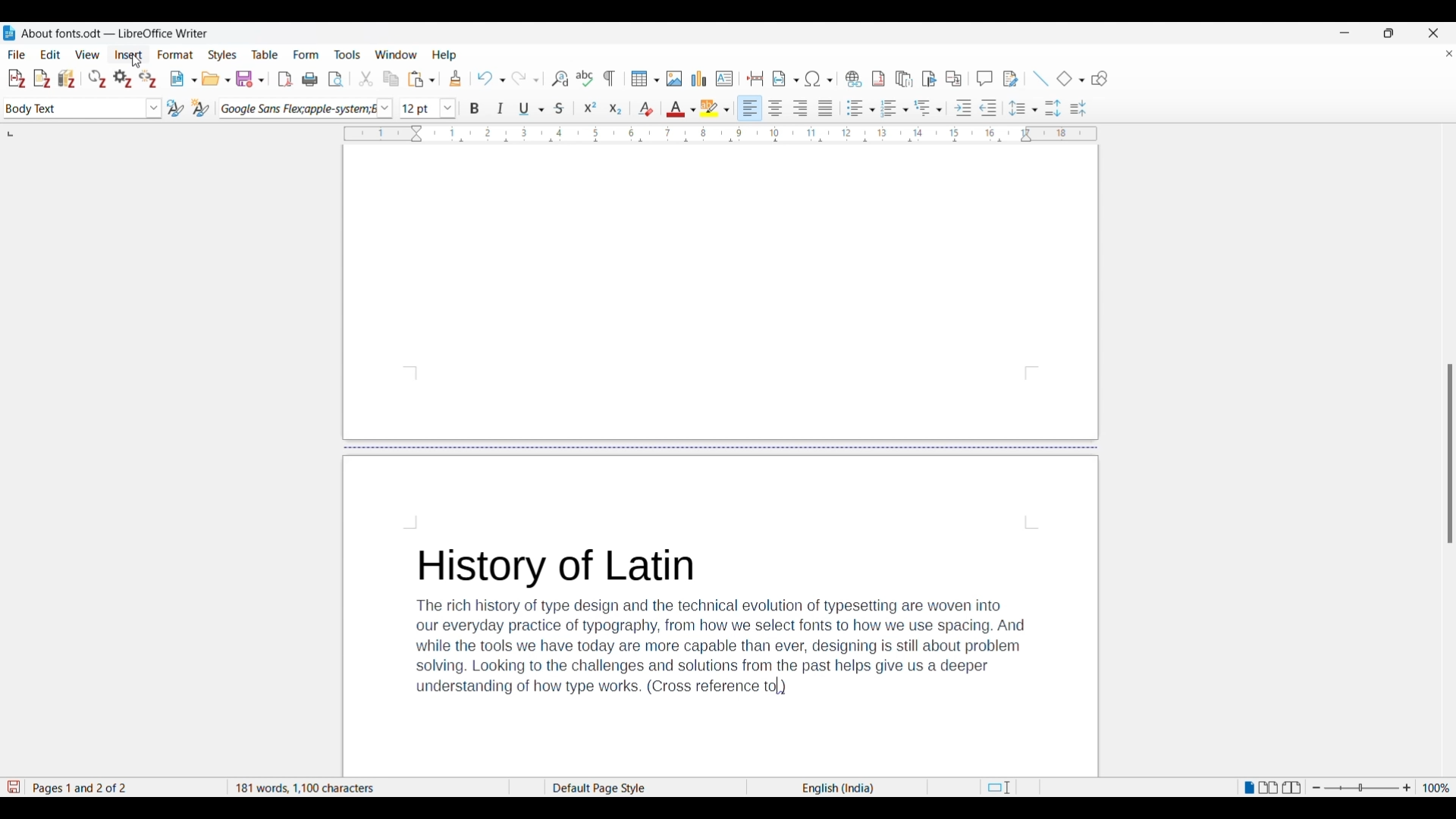 The image size is (1456, 819). Describe the element at coordinates (115, 33) in the screenshot. I see `About fonts.odt- LibreOffice Writer` at that location.